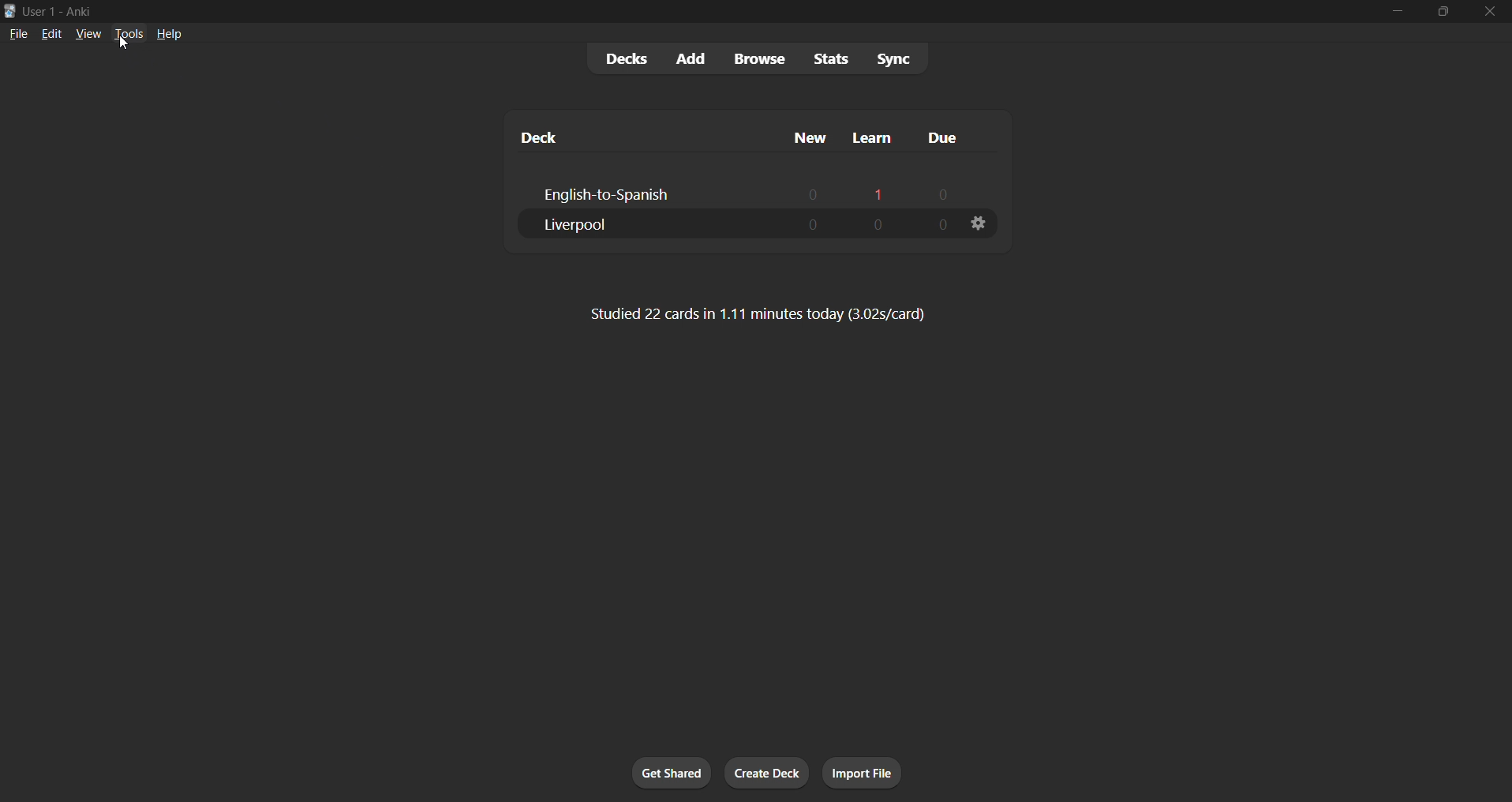 The image size is (1512, 802). What do you see at coordinates (937, 225) in the screenshot?
I see `0` at bounding box center [937, 225].